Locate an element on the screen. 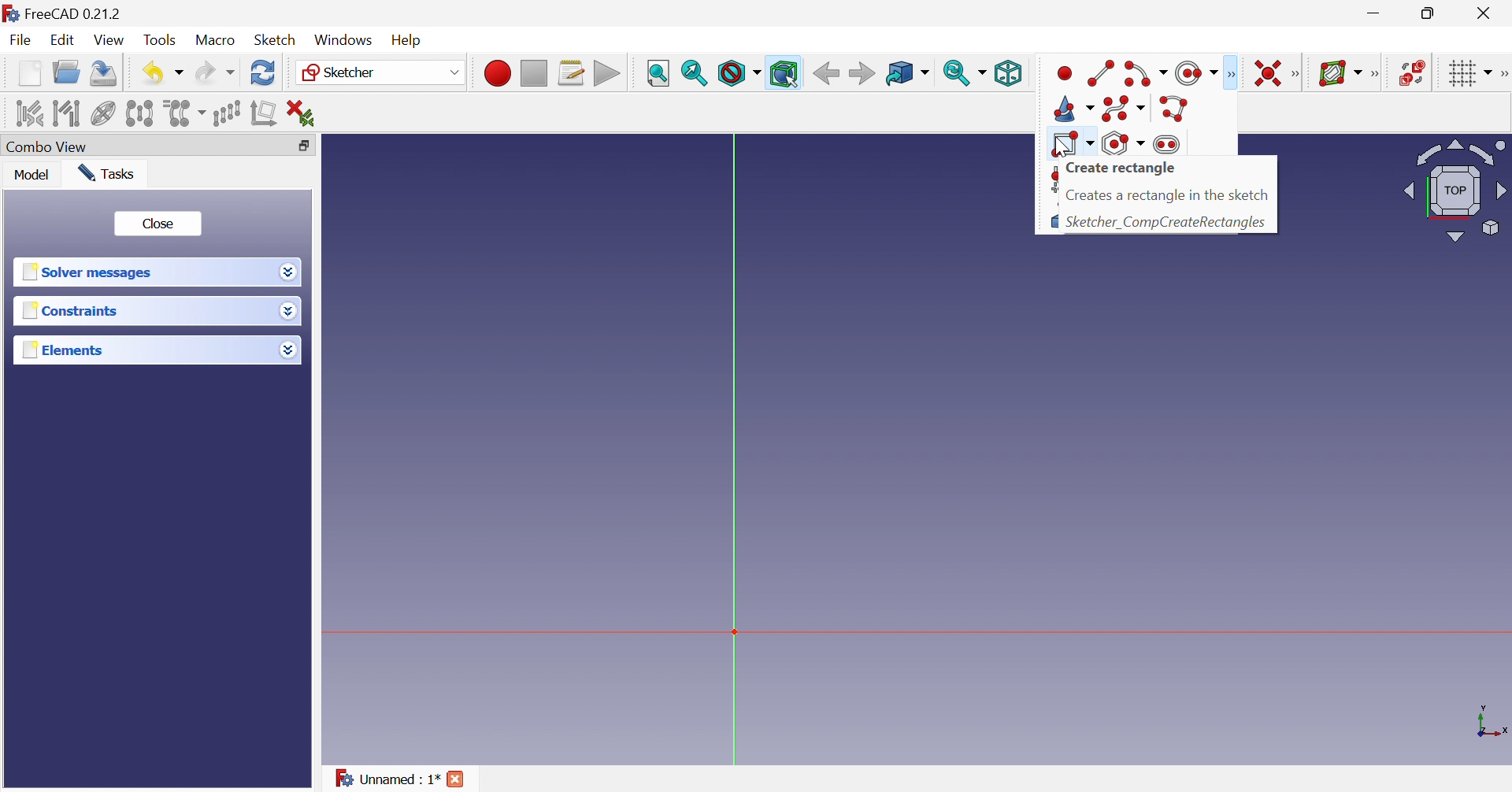  Drop down is located at coordinates (289, 351).